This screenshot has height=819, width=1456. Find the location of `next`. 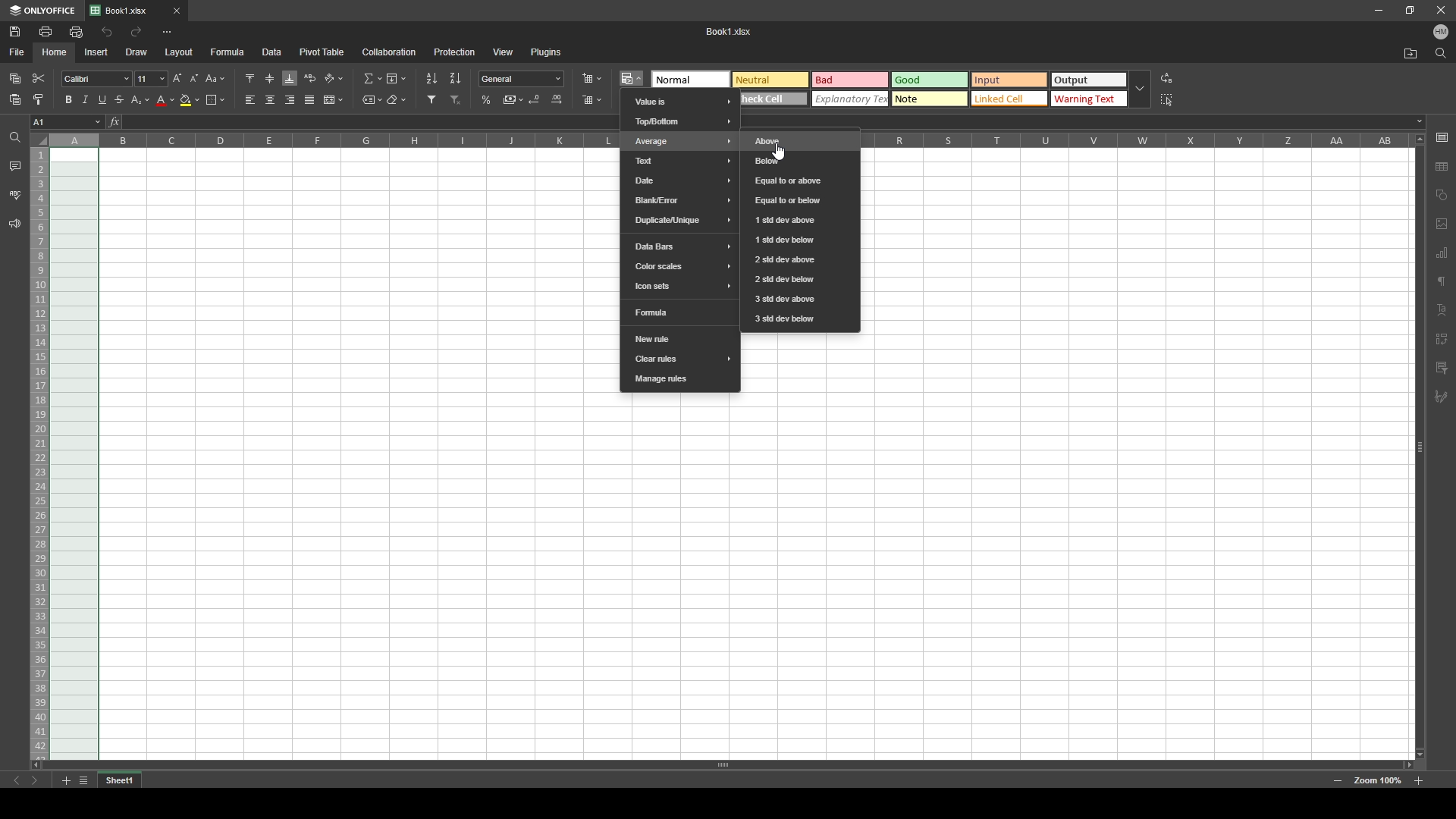

next is located at coordinates (35, 781).